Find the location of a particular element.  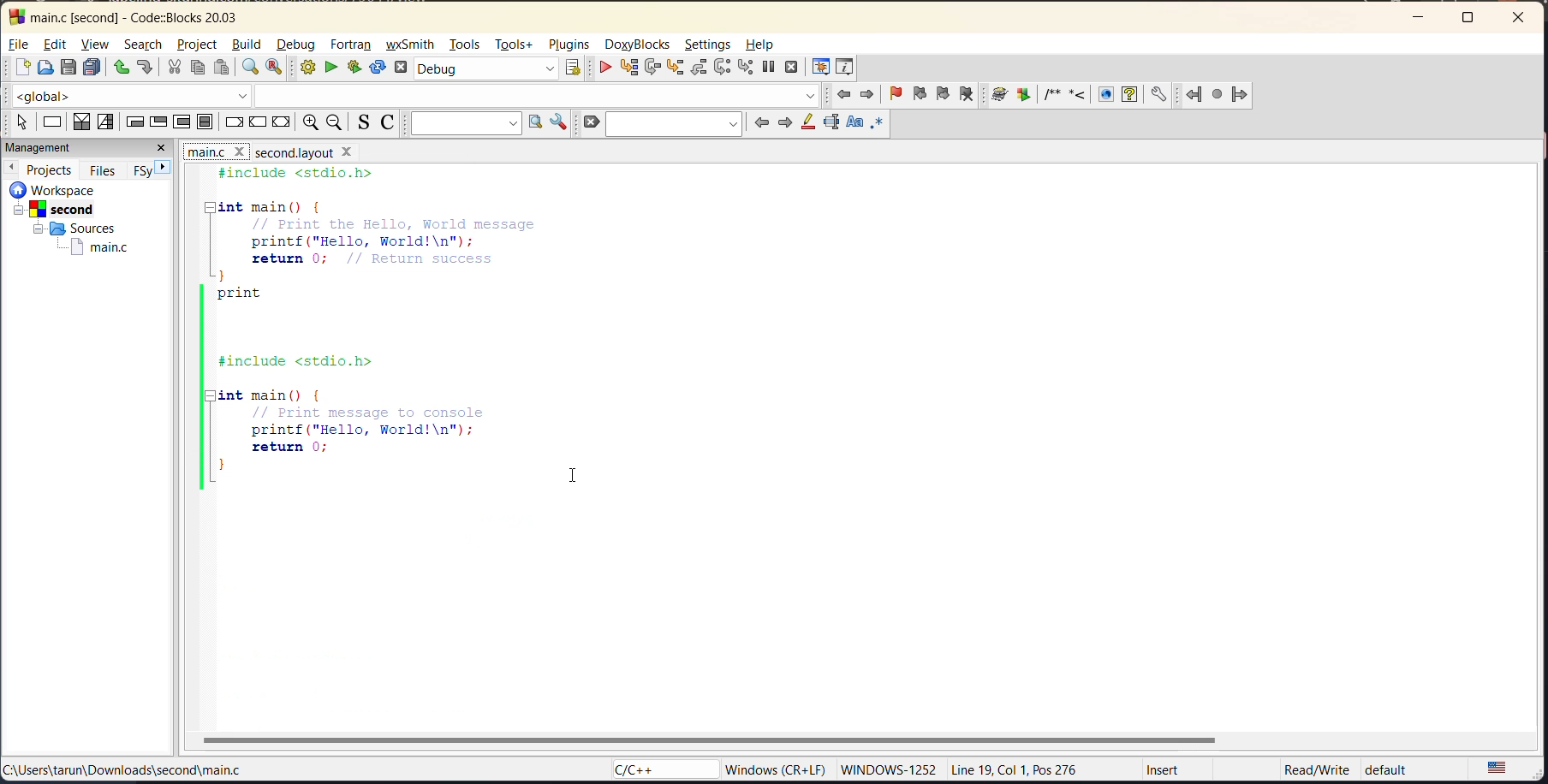

next  bookmark is located at coordinates (943, 93).